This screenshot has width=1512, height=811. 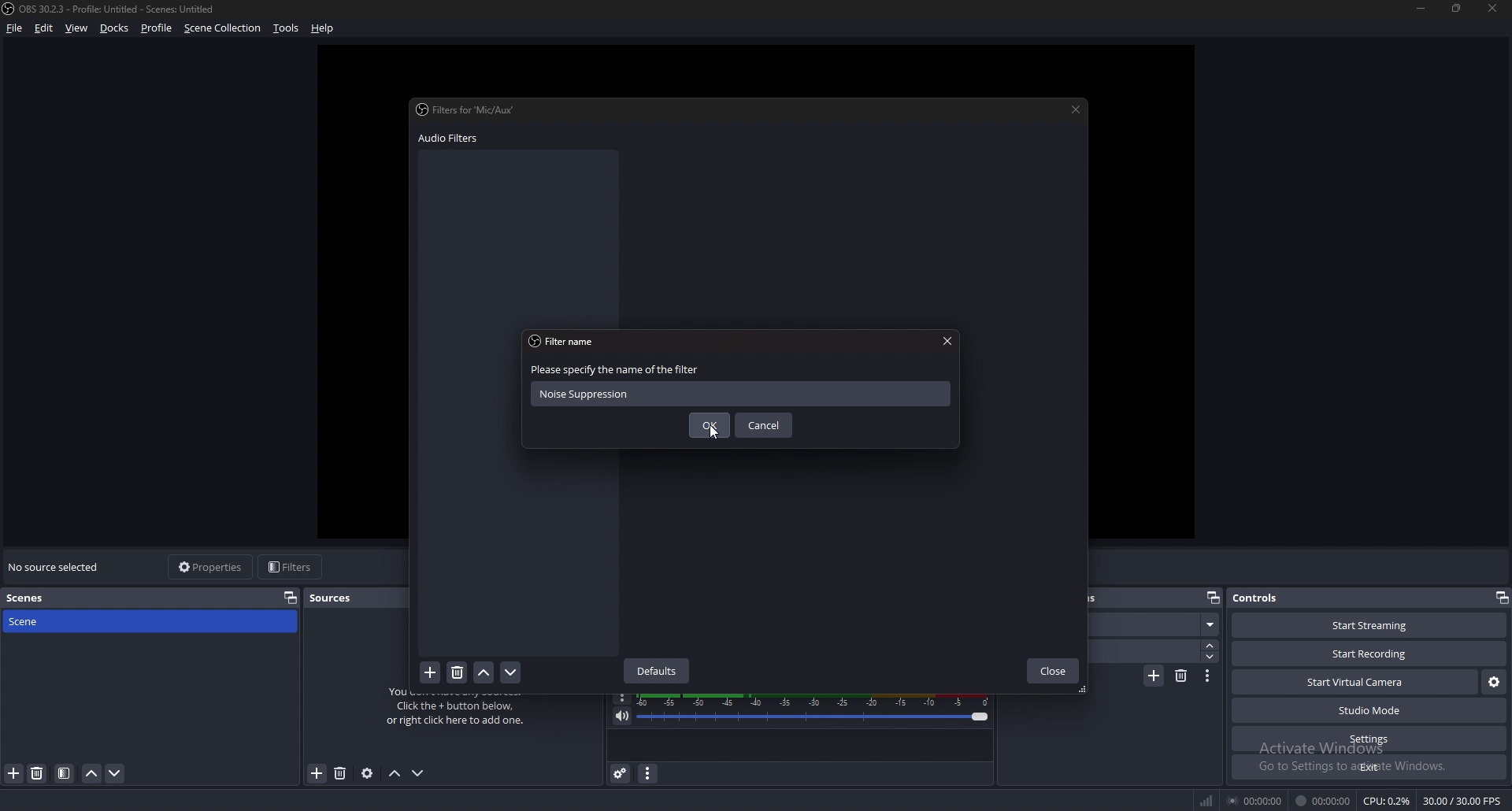 What do you see at coordinates (1053, 671) in the screenshot?
I see `close` at bounding box center [1053, 671].